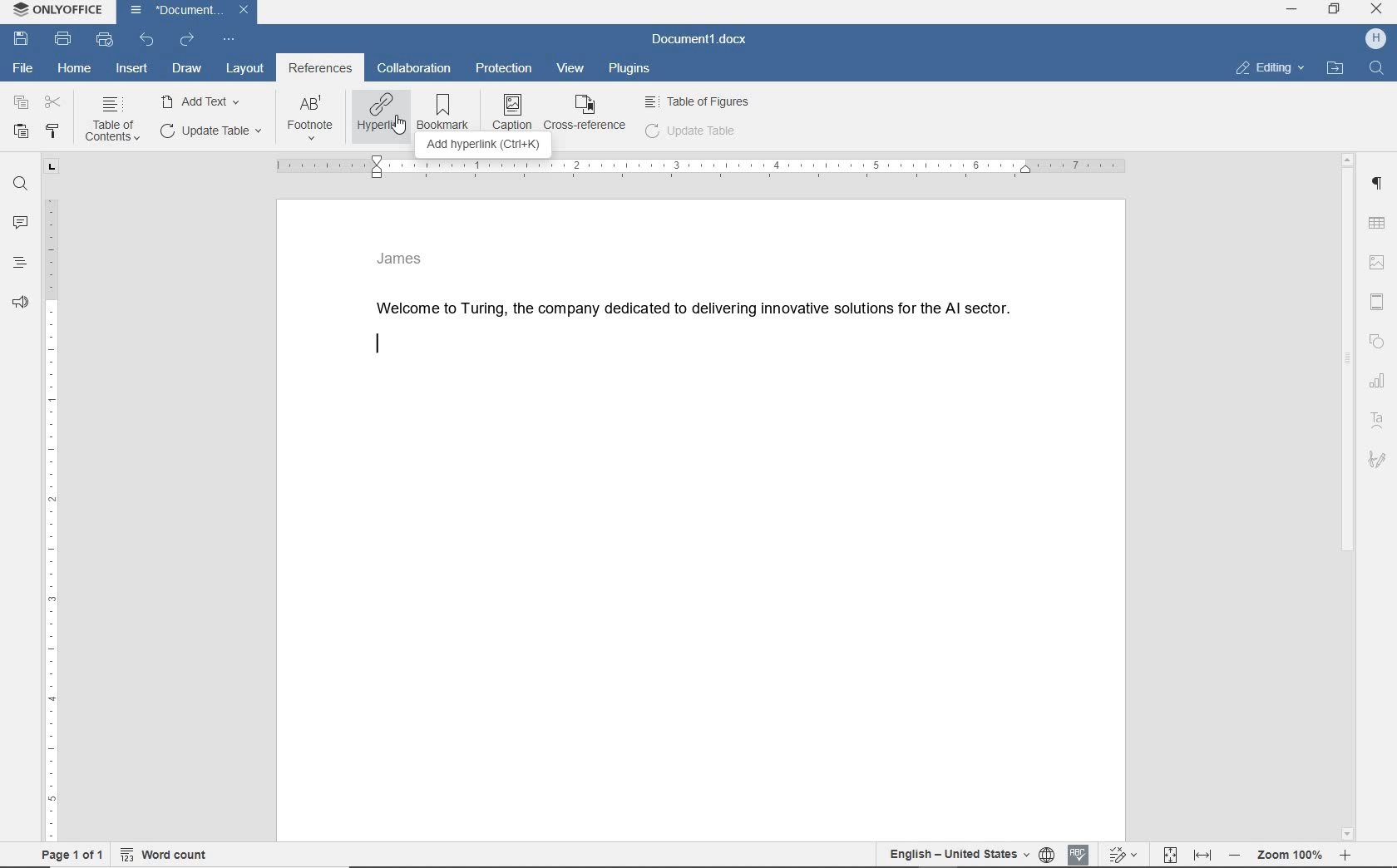  What do you see at coordinates (382, 114) in the screenshot?
I see `HYPERLINK` at bounding box center [382, 114].